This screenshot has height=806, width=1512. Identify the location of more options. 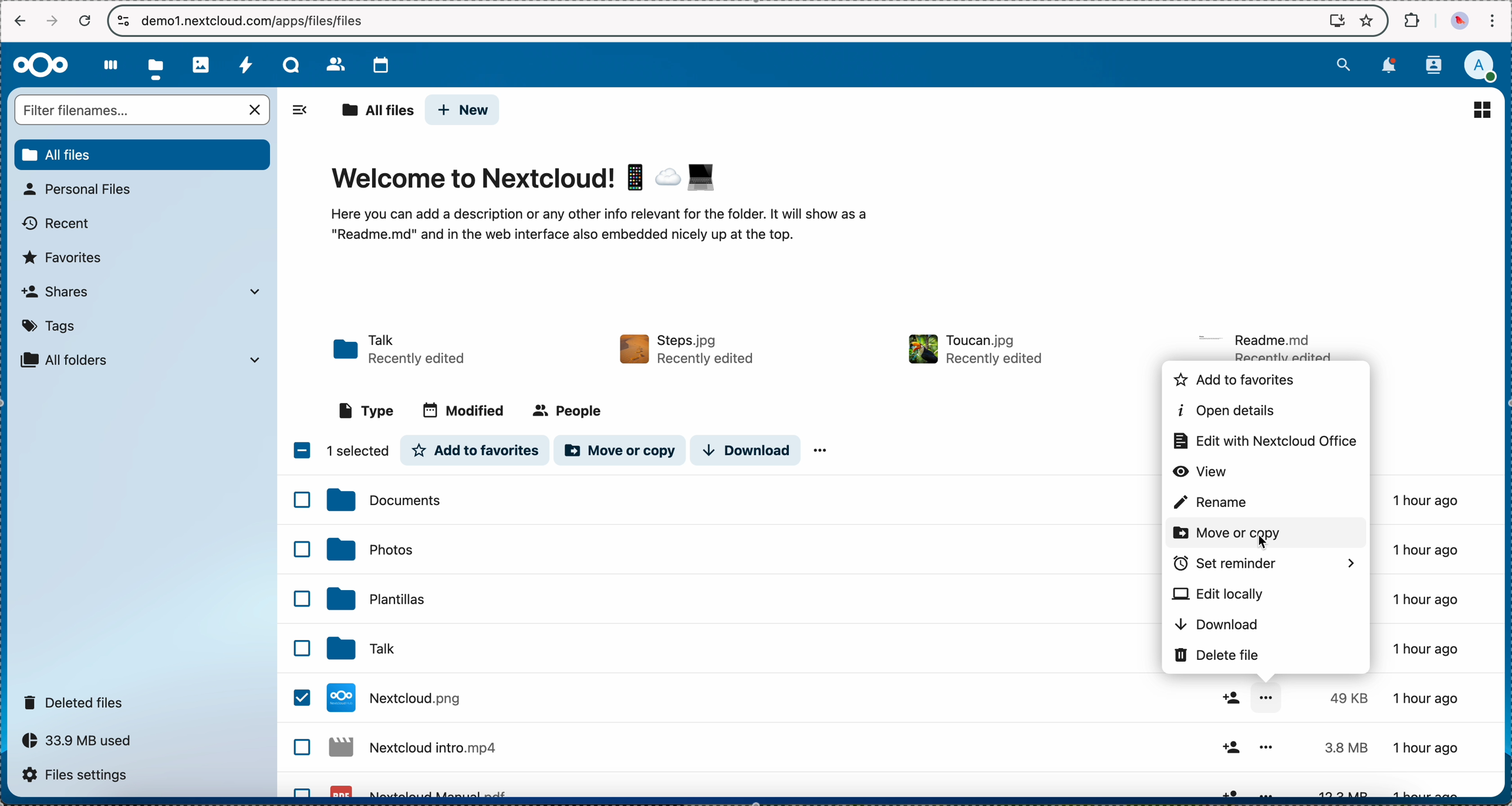
(822, 449).